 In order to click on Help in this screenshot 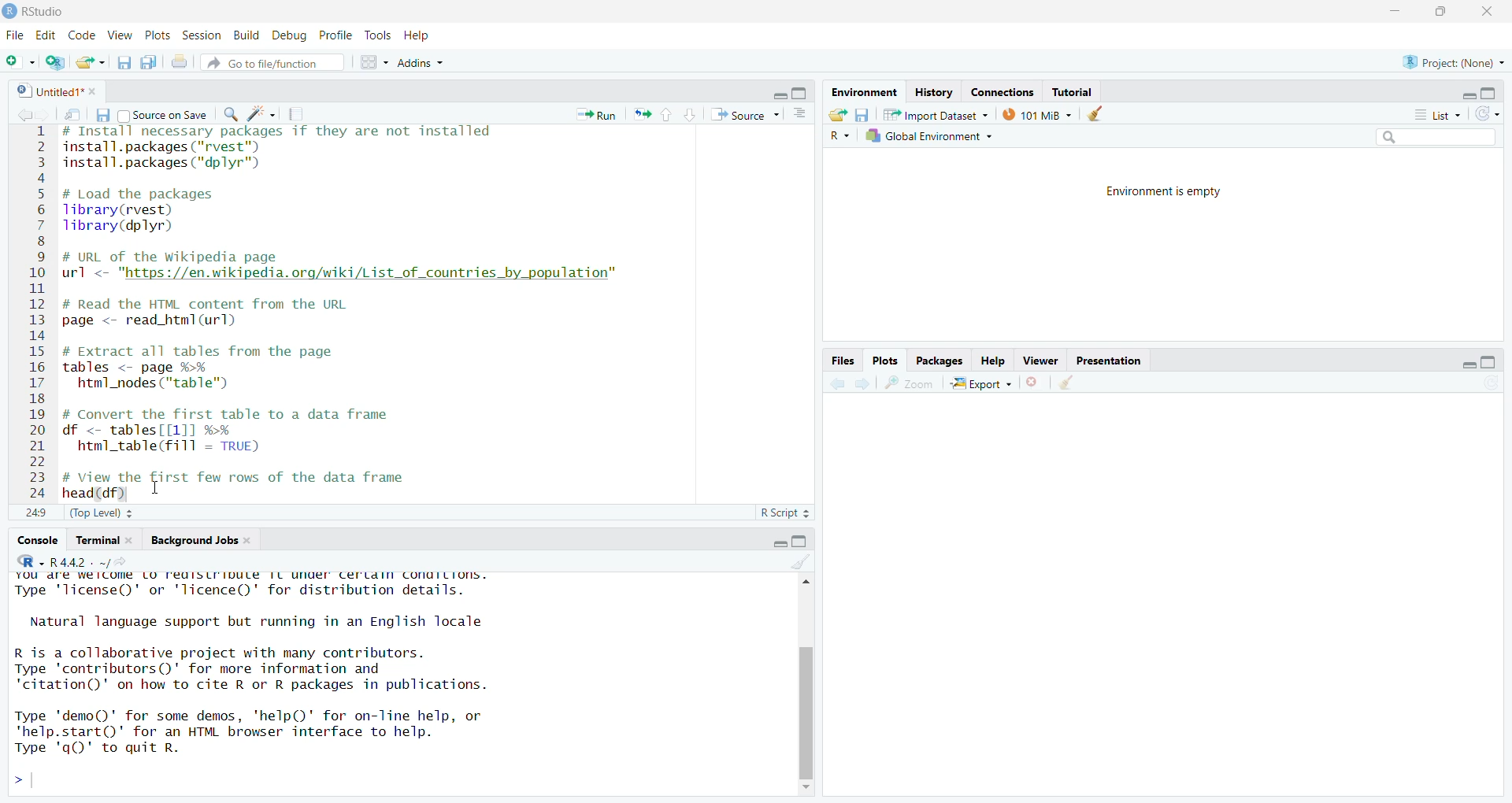, I will do `click(419, 37)`.